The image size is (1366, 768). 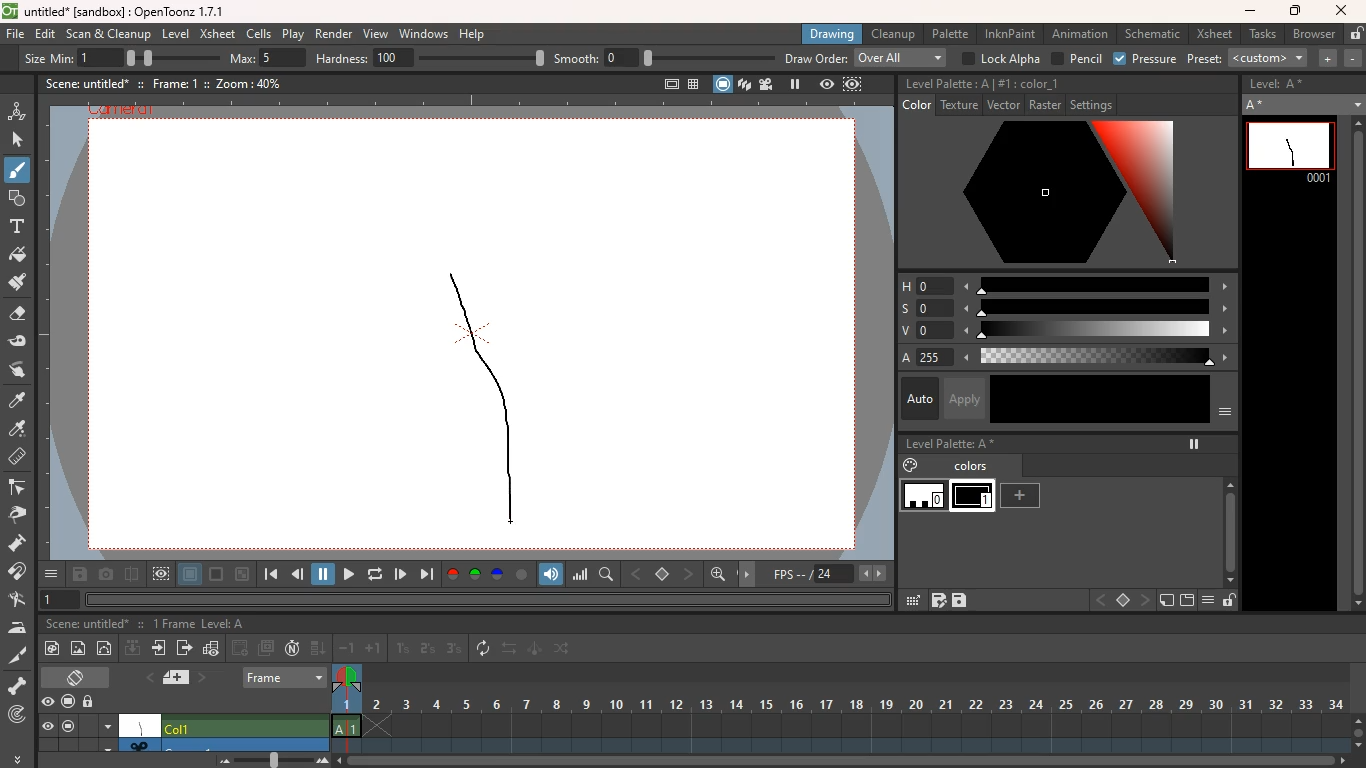 I want to click on circle, so click(x=107, y=650).